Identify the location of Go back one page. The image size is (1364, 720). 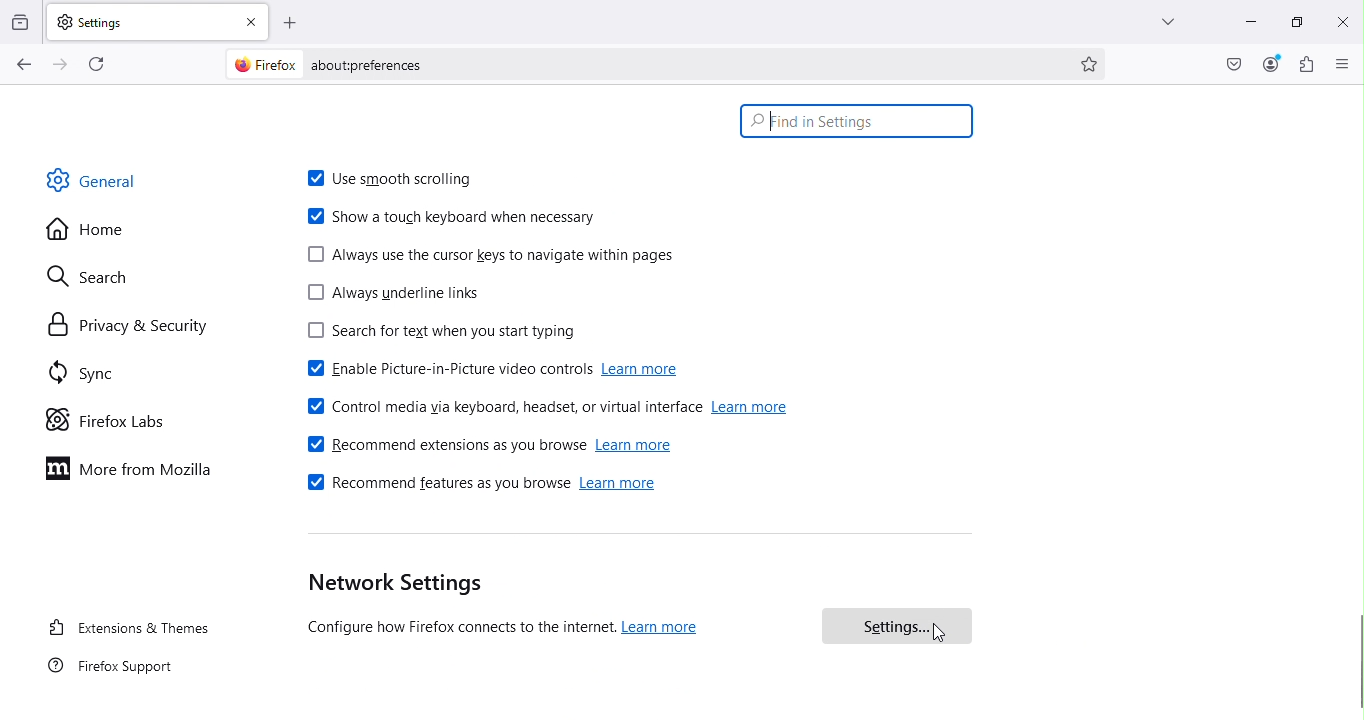
(22, 65).